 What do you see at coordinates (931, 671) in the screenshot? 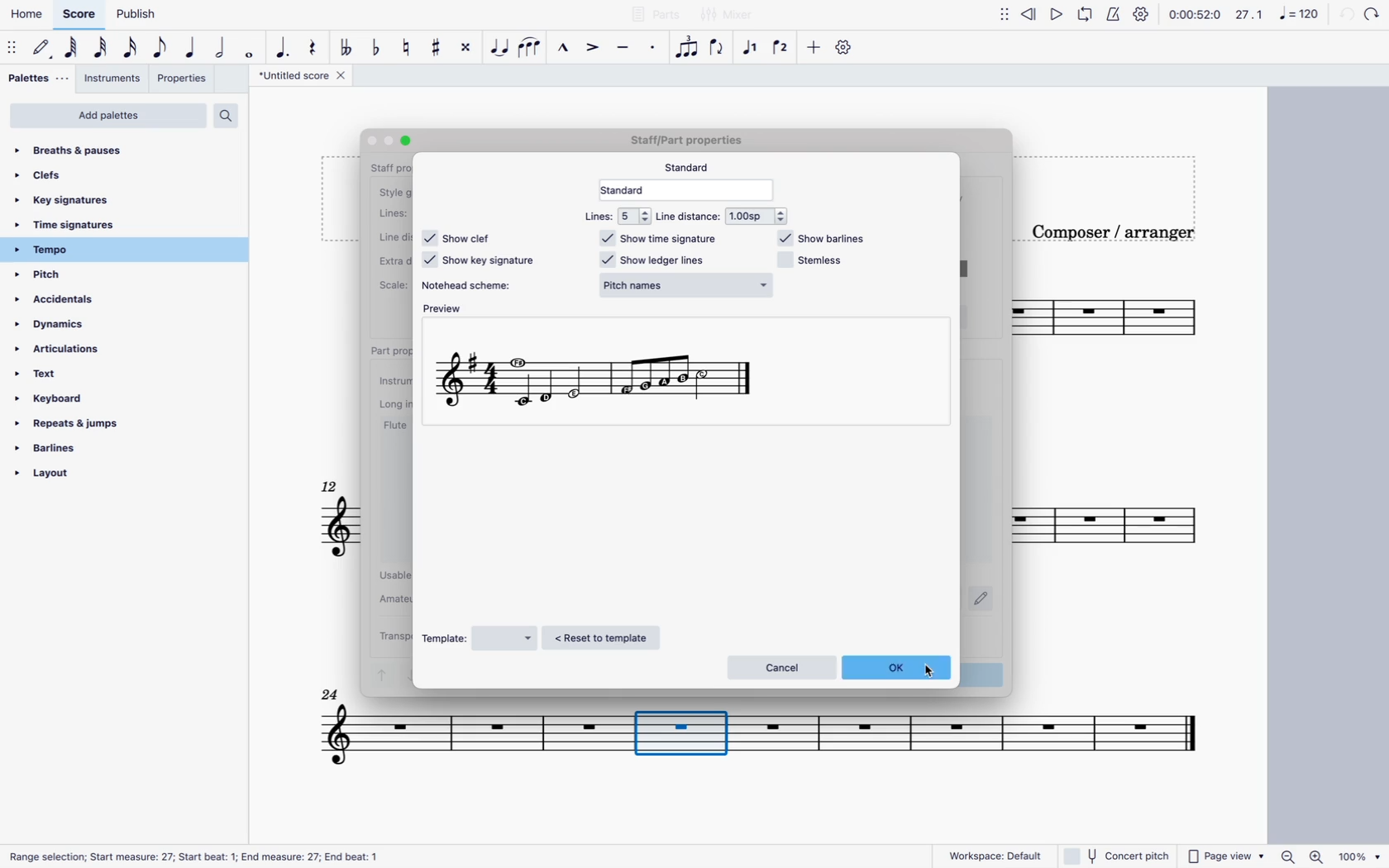
I see `cursor` at bounding box center [931, 671].